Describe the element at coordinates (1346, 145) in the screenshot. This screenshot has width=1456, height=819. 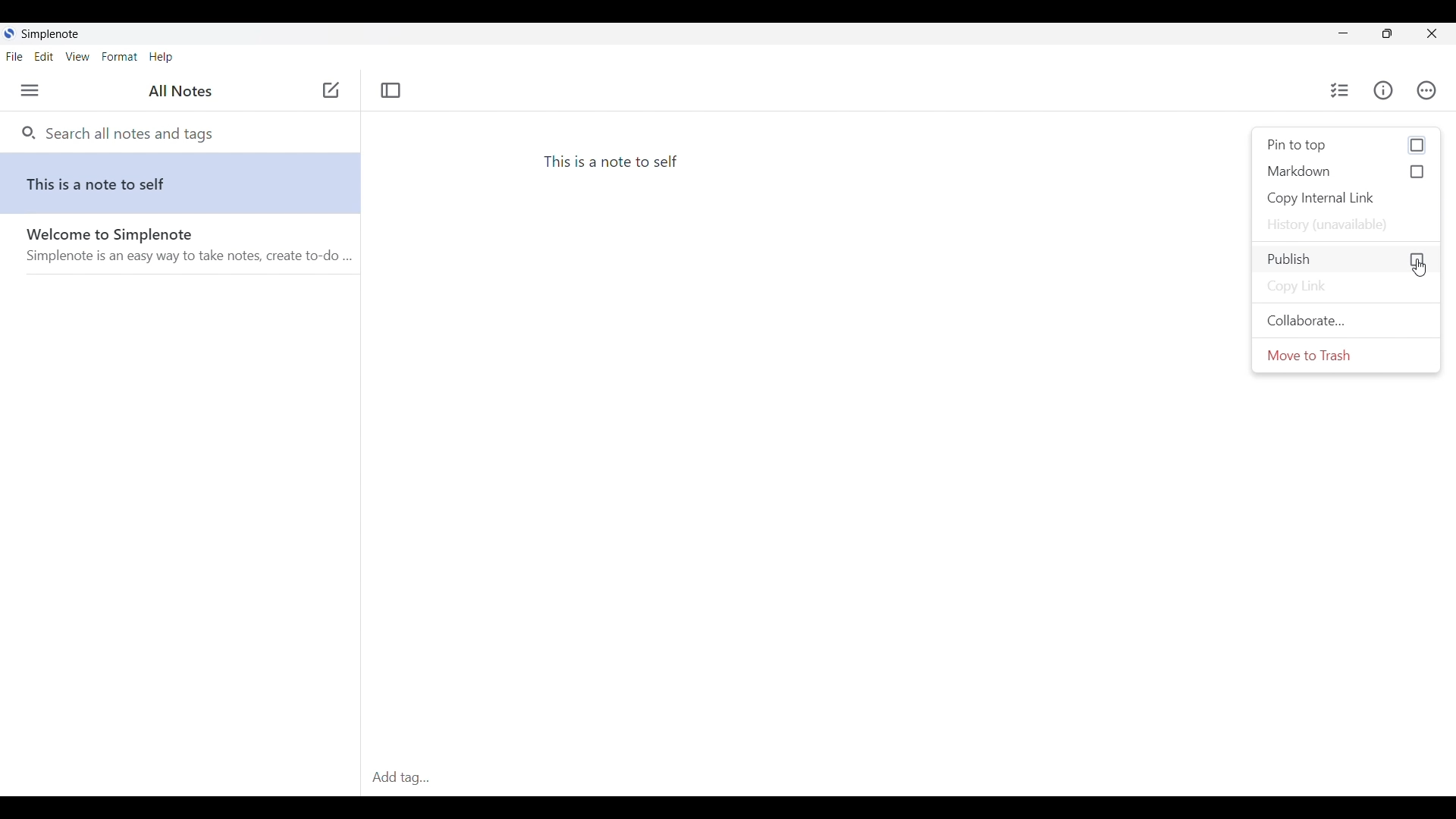
I see `Pin to top` at that location.